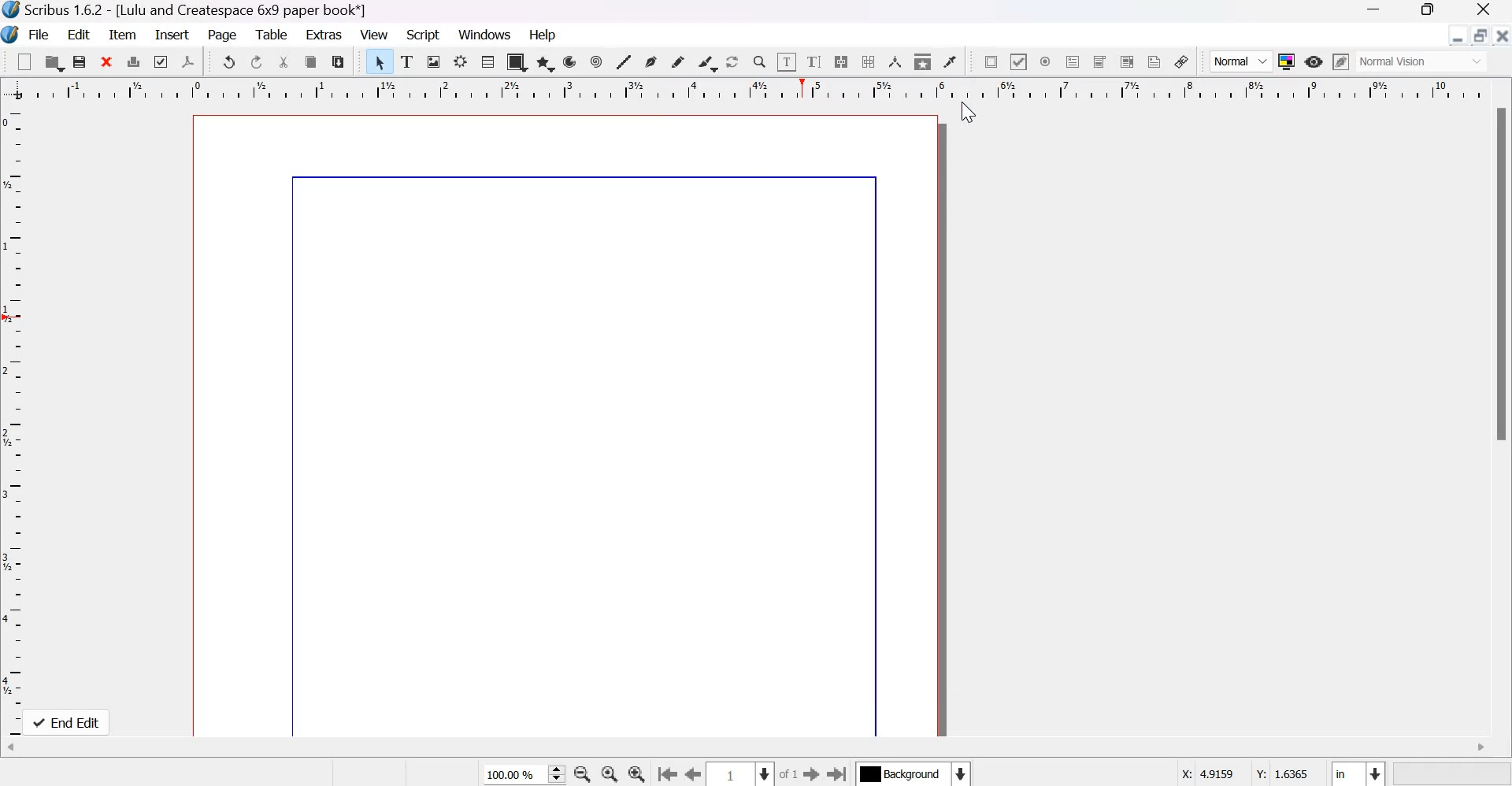 The width and height of the screenshot is (1512, 786). I want to click on open, so click(54, 63).